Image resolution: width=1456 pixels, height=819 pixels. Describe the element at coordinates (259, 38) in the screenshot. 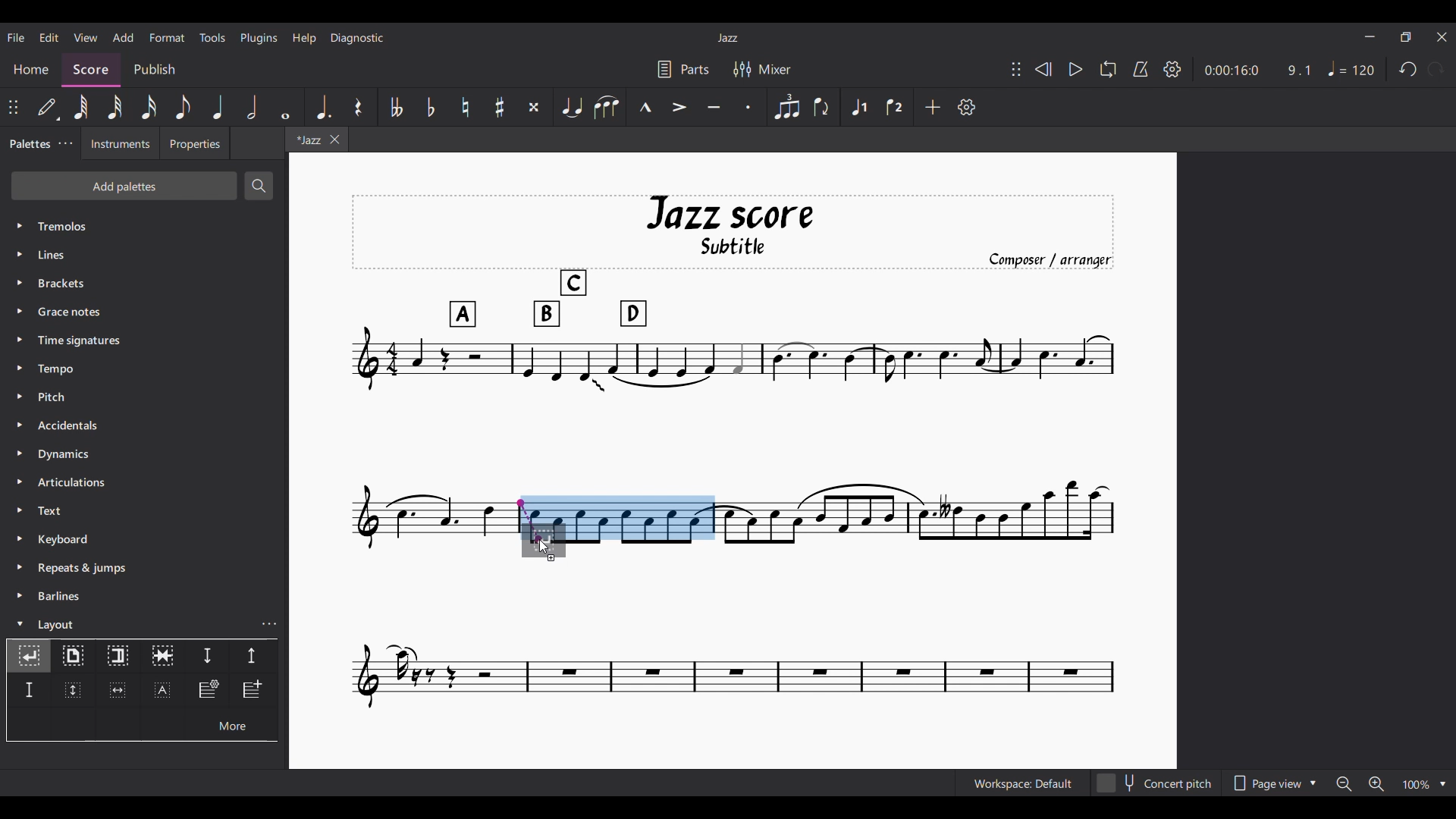

I see `Plugins menu` at that location.